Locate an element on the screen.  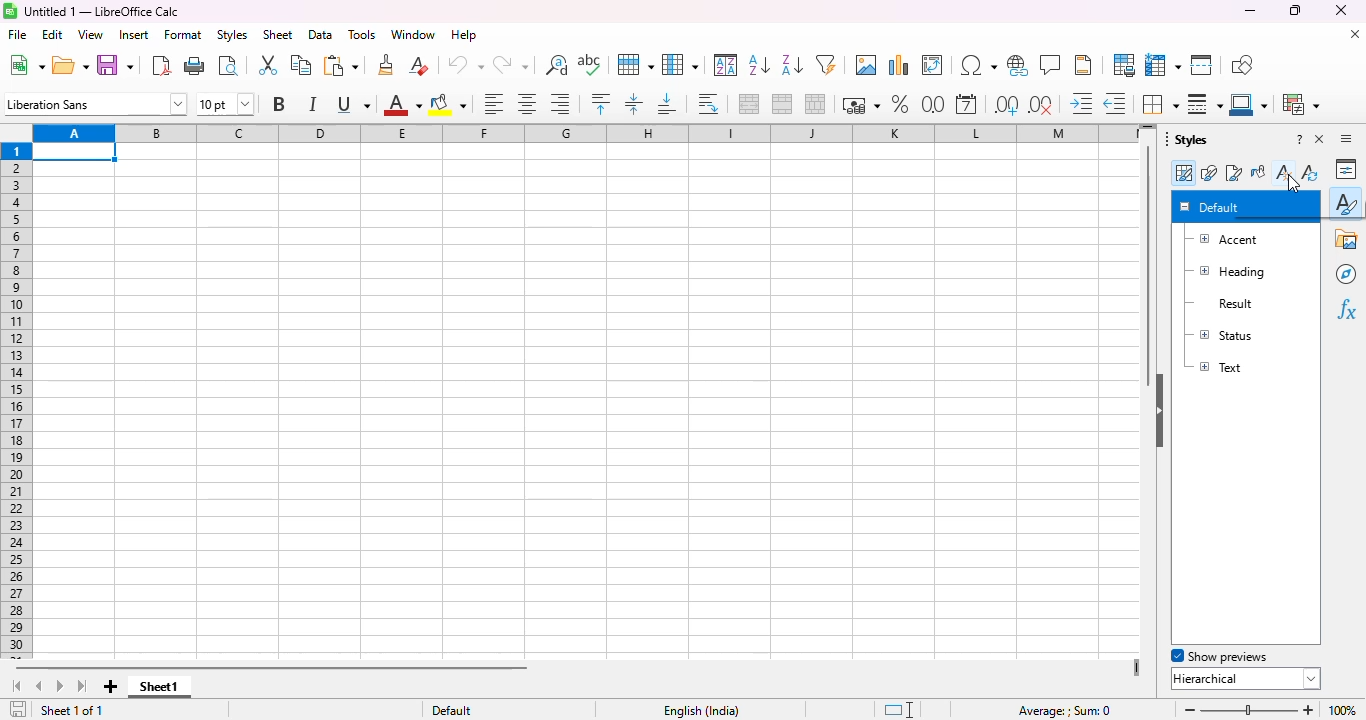
show previews is located at coordinates (1220, 656).